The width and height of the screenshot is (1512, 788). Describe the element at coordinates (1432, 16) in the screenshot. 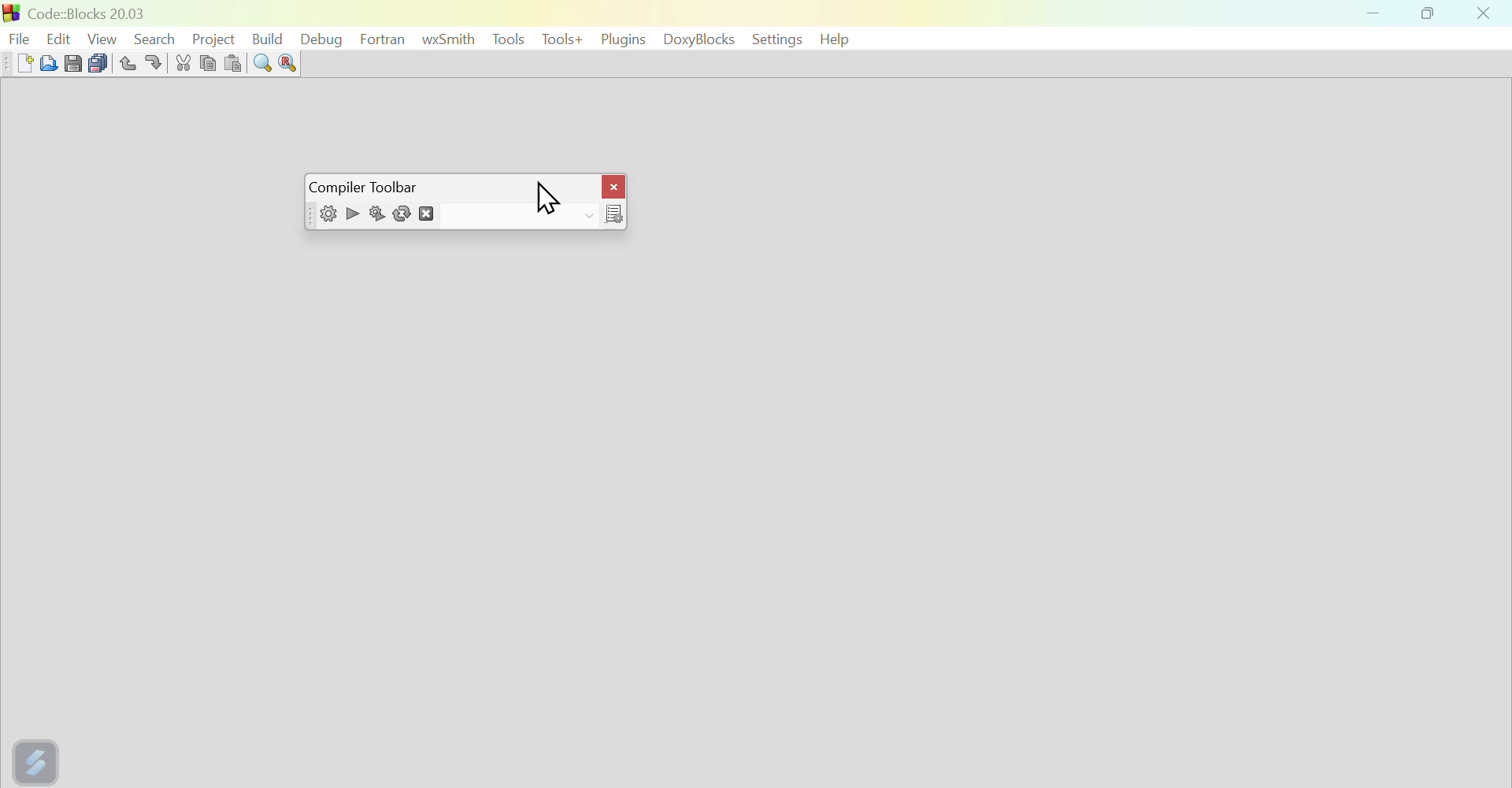

I see `maximise` at that location.